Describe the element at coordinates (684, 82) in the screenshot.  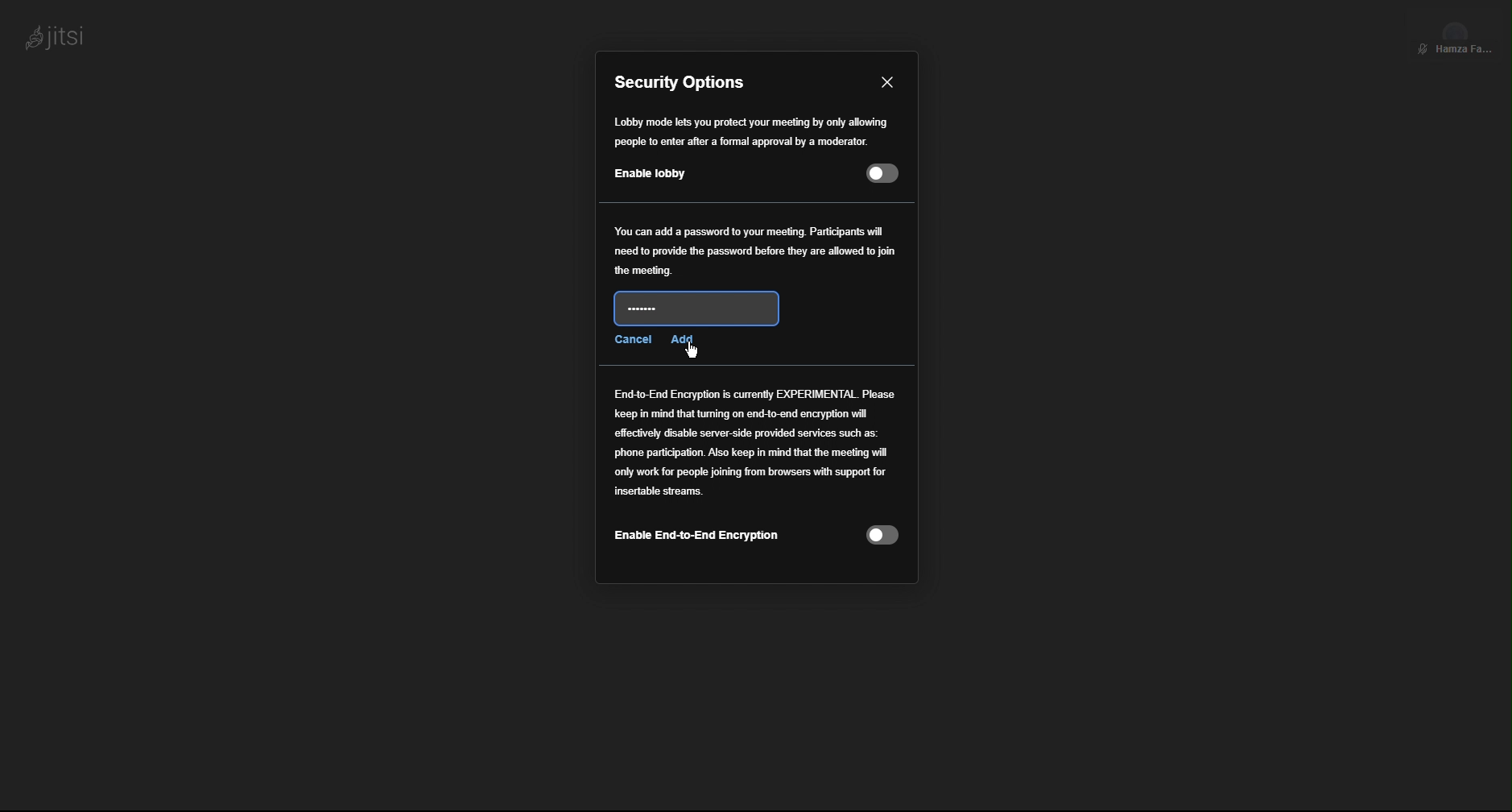
I see `Security Options` at that location.